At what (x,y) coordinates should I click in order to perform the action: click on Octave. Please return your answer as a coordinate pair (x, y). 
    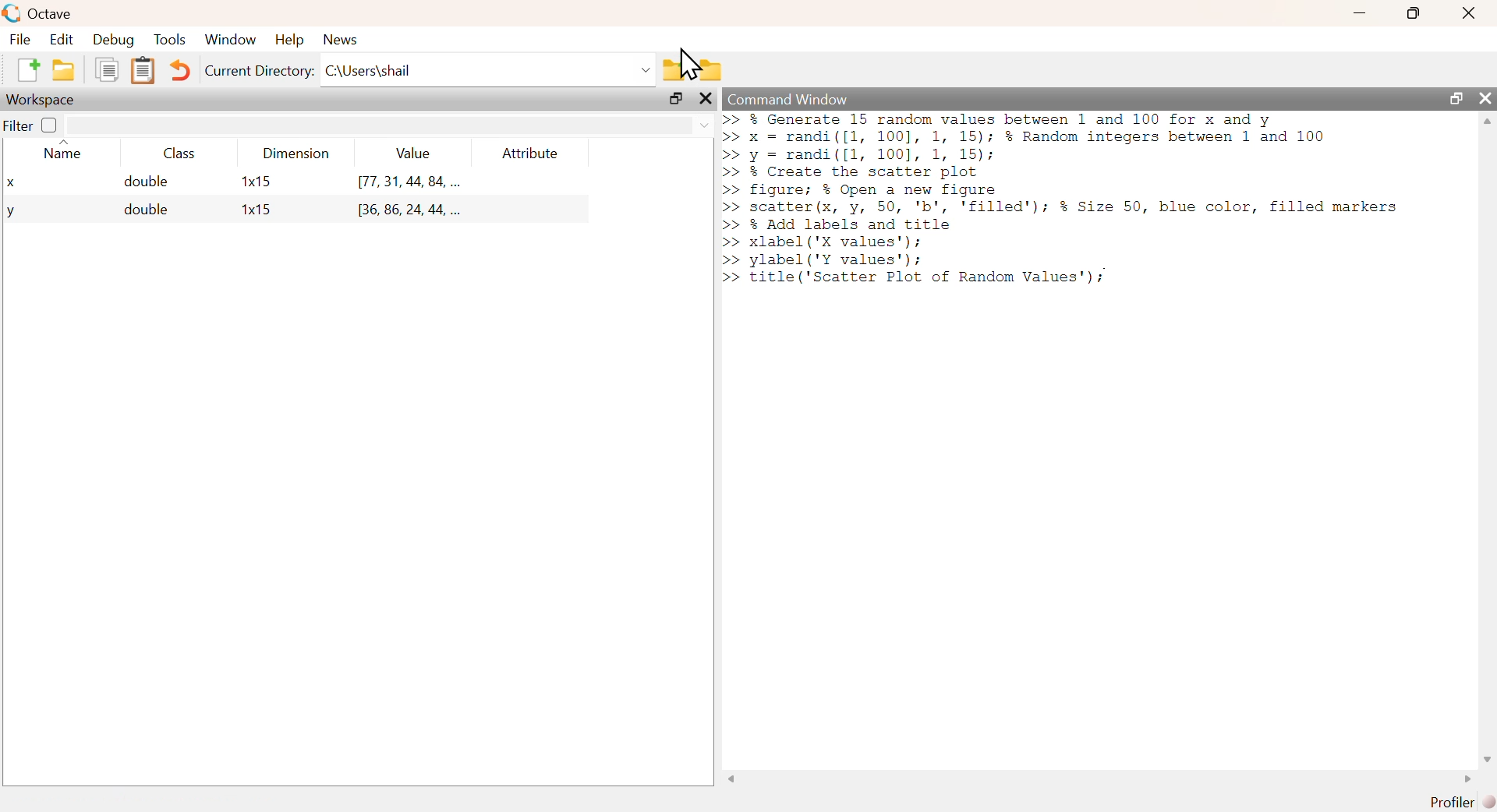
    Looking at the image, I should click on (54, 14).